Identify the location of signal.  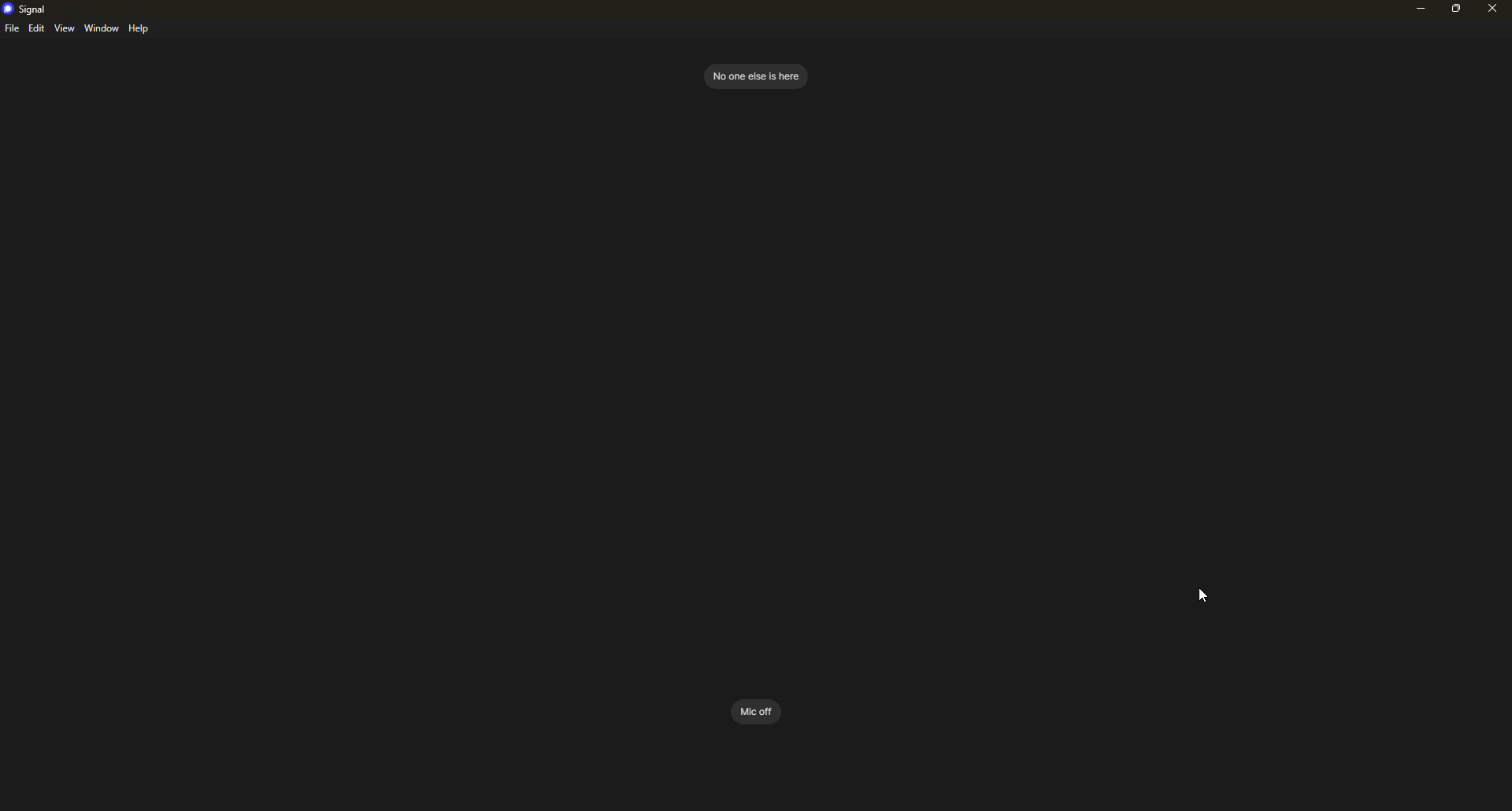
(27, 8).